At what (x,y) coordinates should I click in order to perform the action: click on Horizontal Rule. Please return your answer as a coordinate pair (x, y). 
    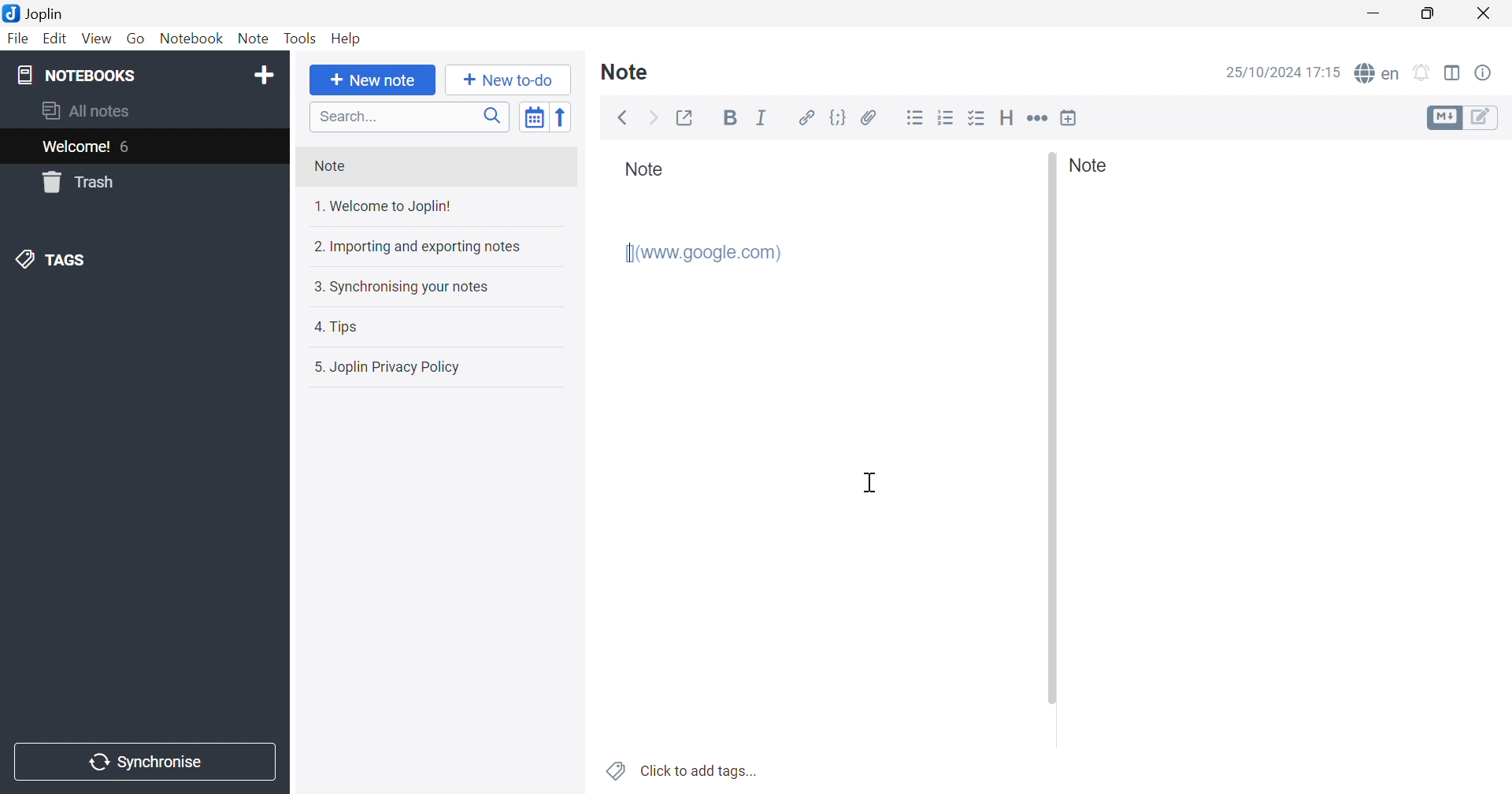
    Looking at the image, I should click on (1038, 117).